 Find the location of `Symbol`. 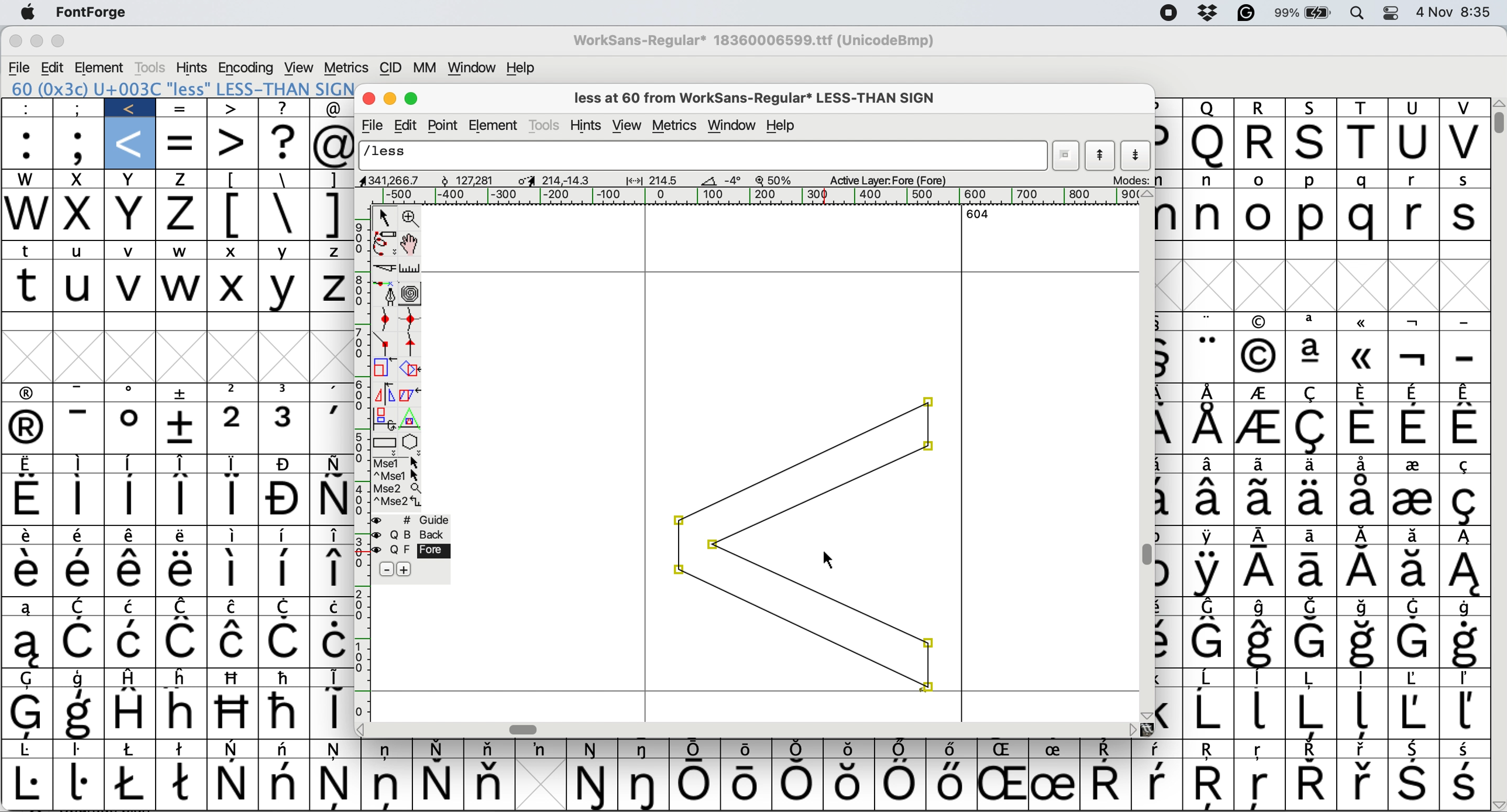

Symbol is located at coordinates (1262, 608).